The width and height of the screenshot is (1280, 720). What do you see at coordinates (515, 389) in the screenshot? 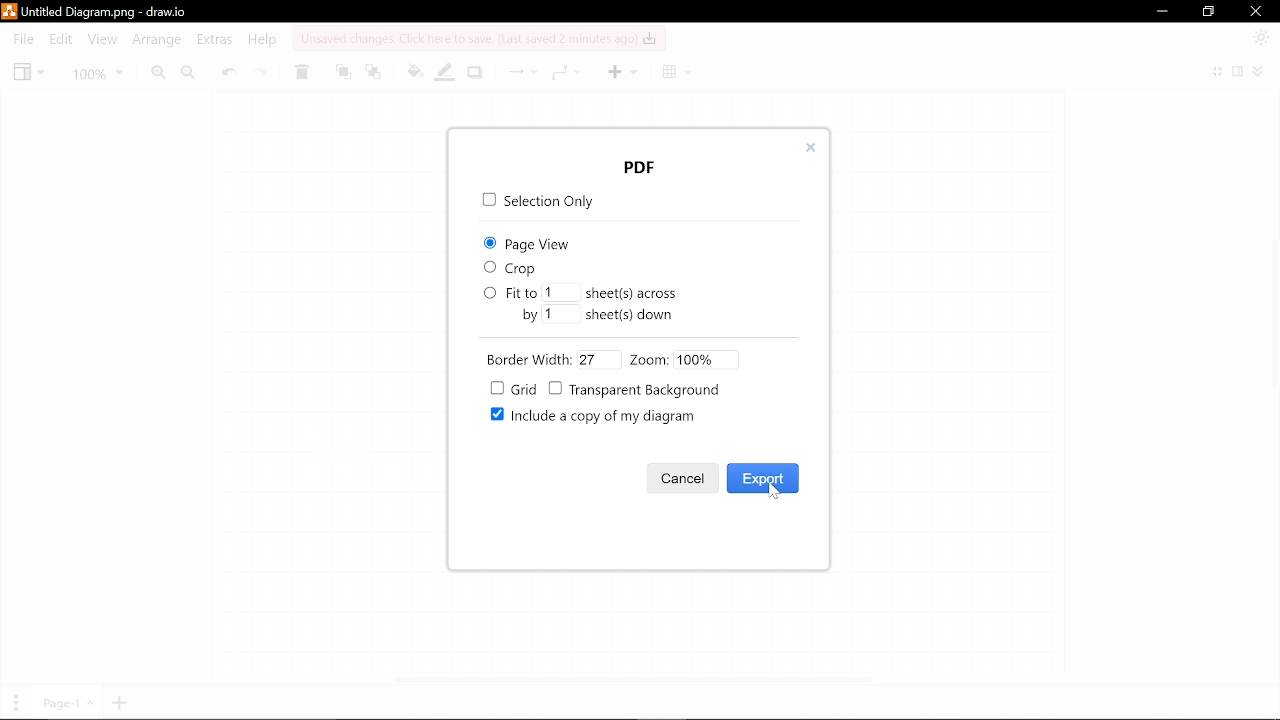
I see `Grid` at bounding box center [515, 389].